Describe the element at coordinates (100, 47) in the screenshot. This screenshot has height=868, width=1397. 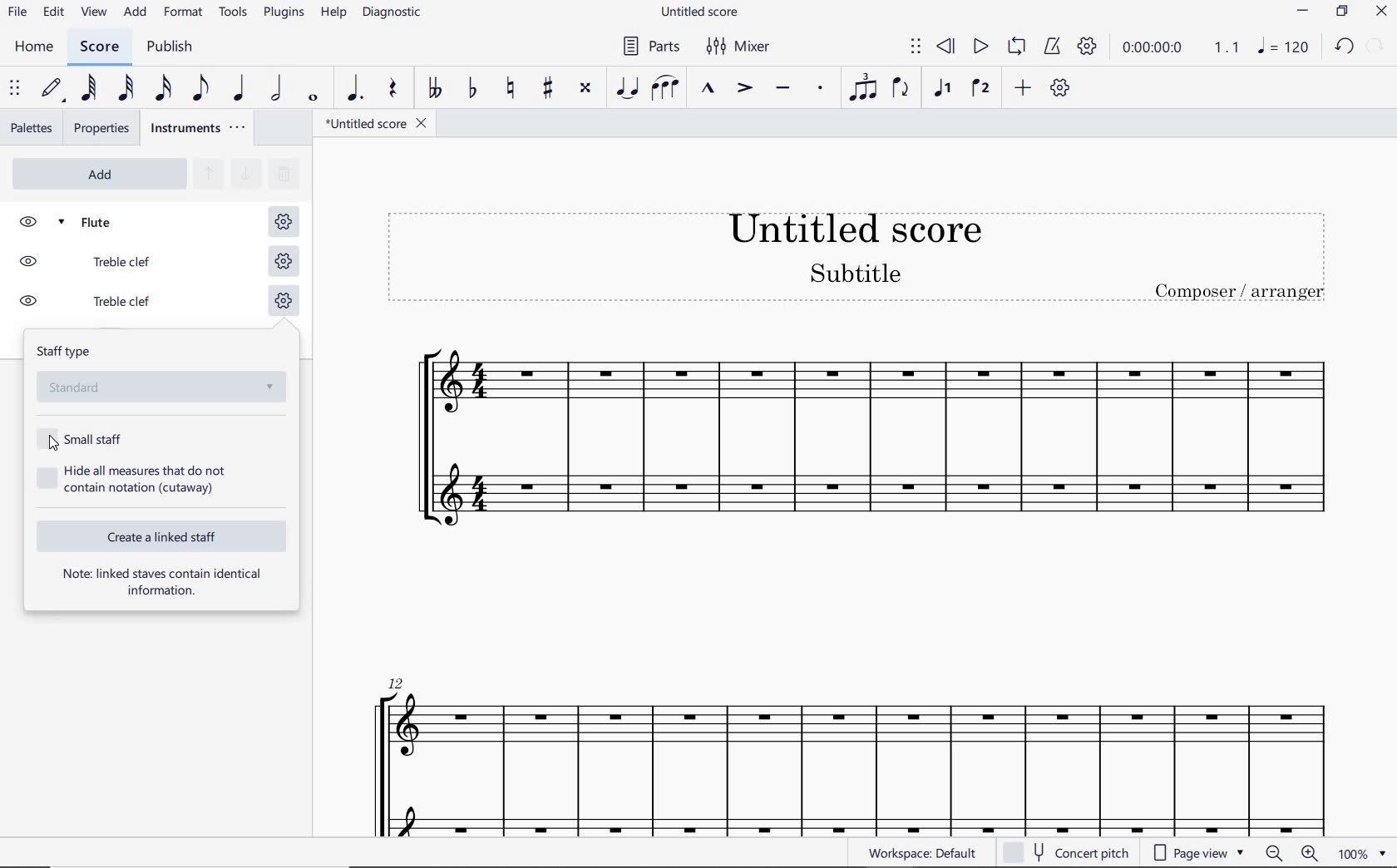
I see `score` at that location.